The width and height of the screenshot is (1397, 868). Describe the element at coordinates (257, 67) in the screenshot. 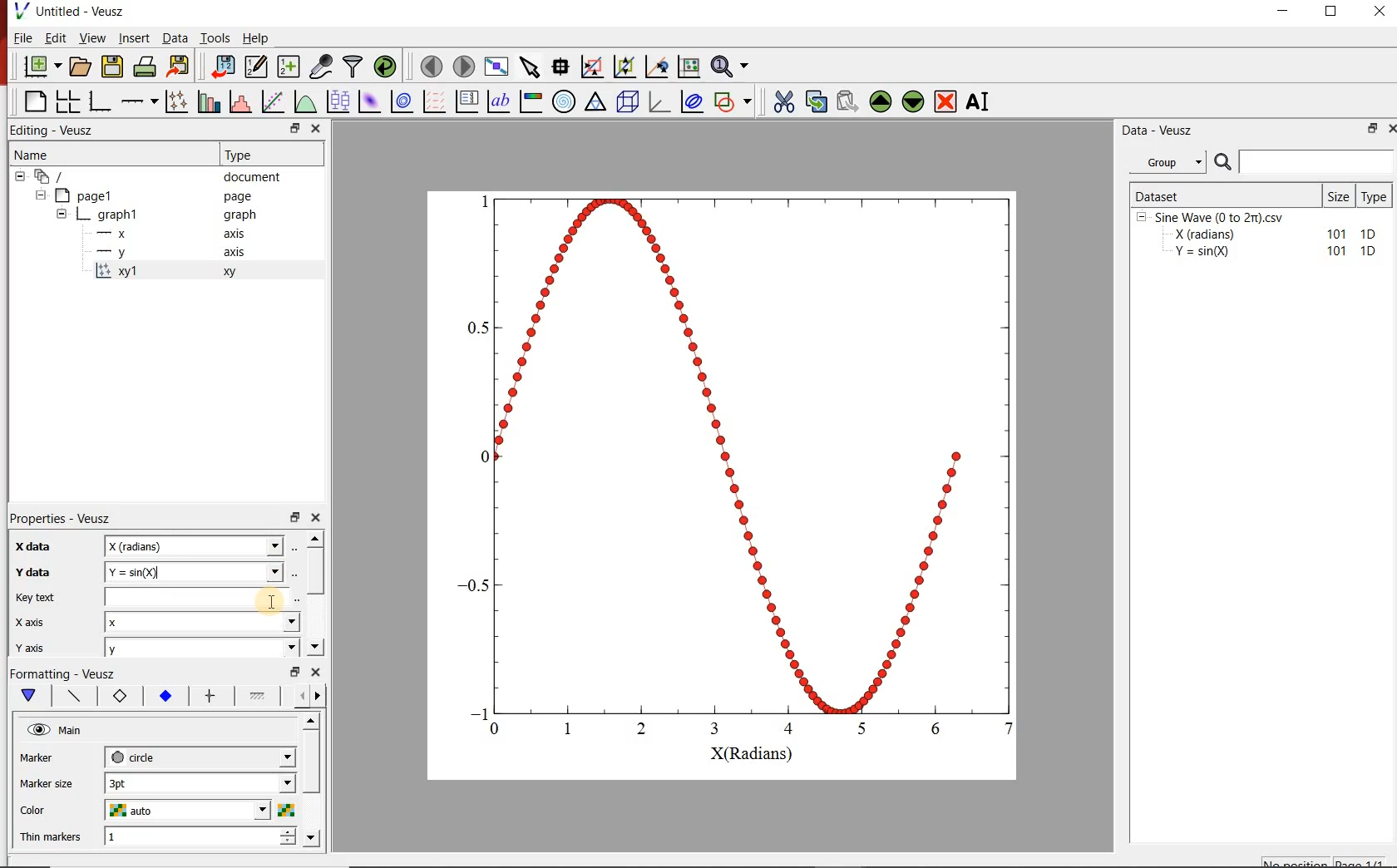

I see `edit and enter new datasets` at that location.